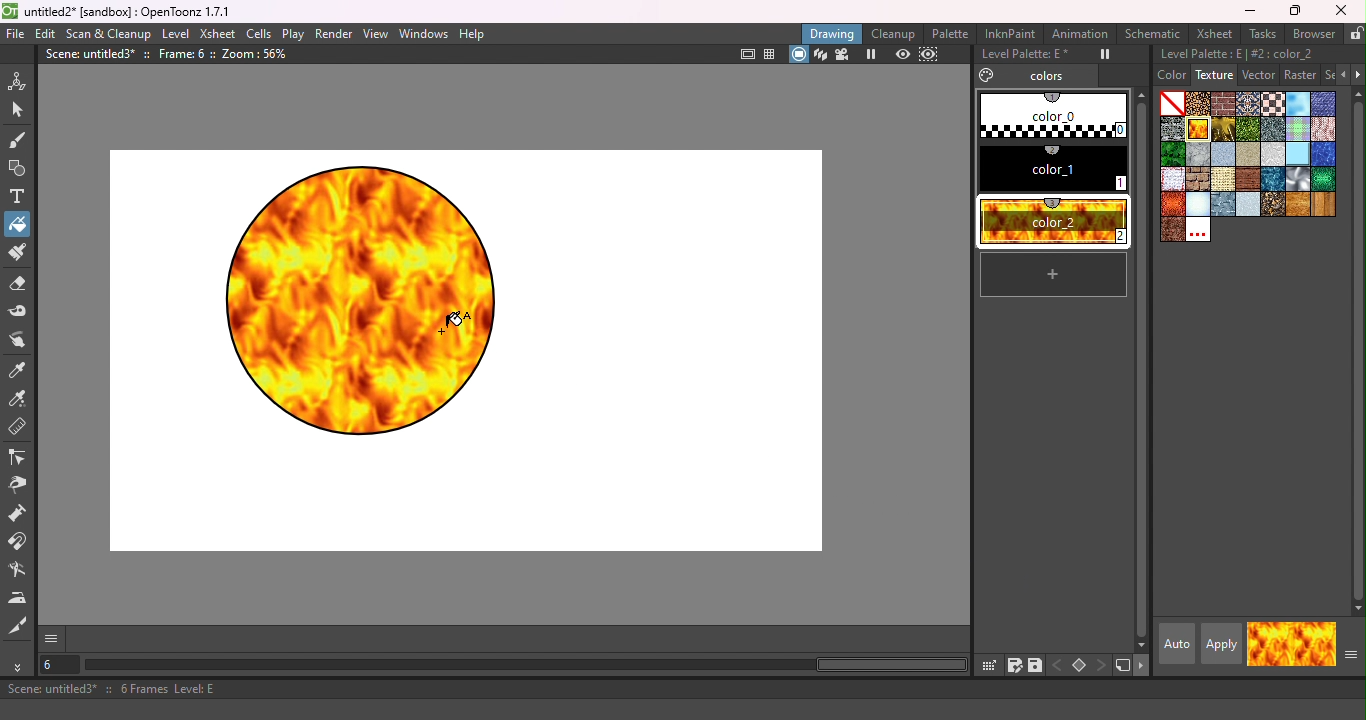 This screenshot has width=1366, height=720. I want to click on Close, so click(1344, 12).